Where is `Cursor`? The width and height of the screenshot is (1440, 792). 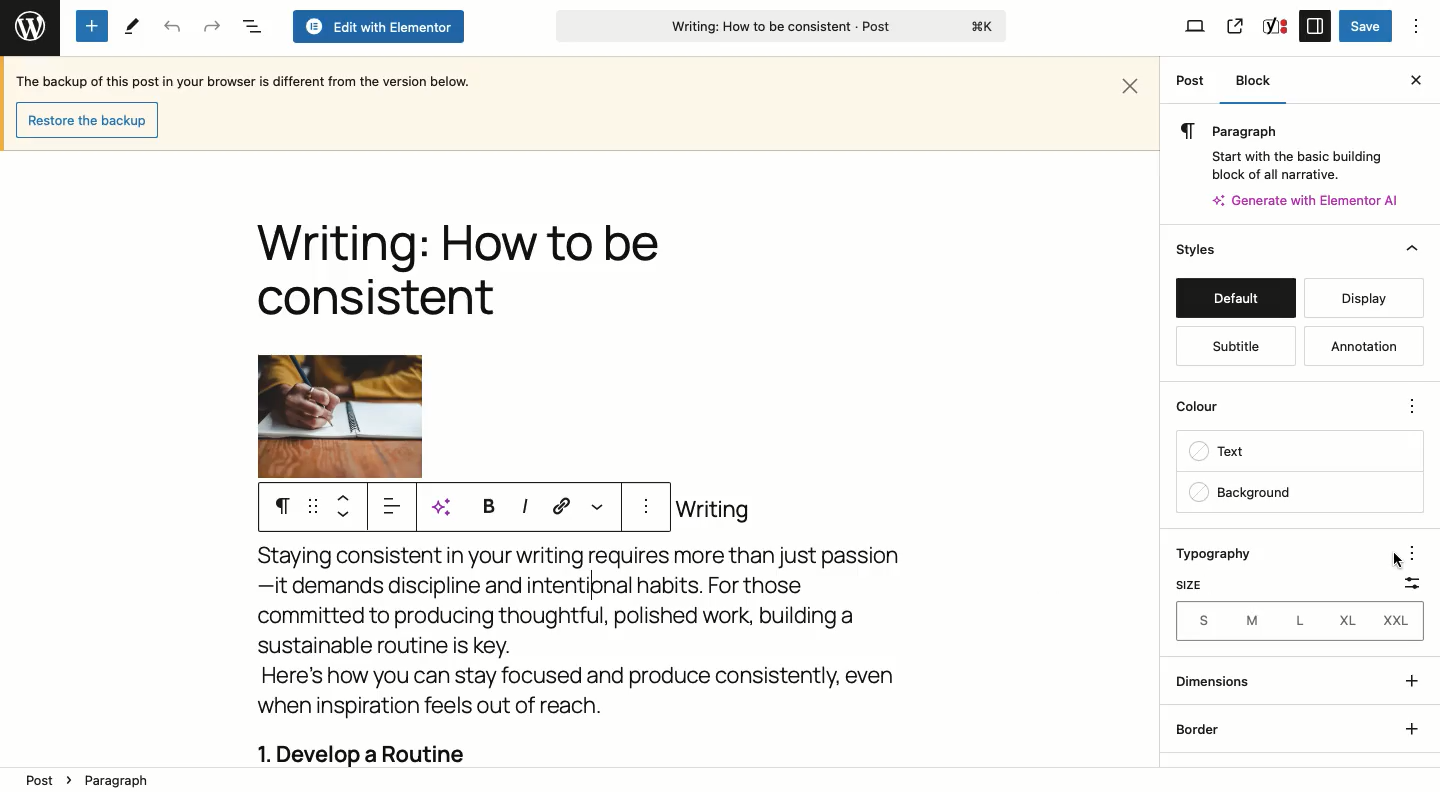 Cursor is located at coordinates (1396, 557).